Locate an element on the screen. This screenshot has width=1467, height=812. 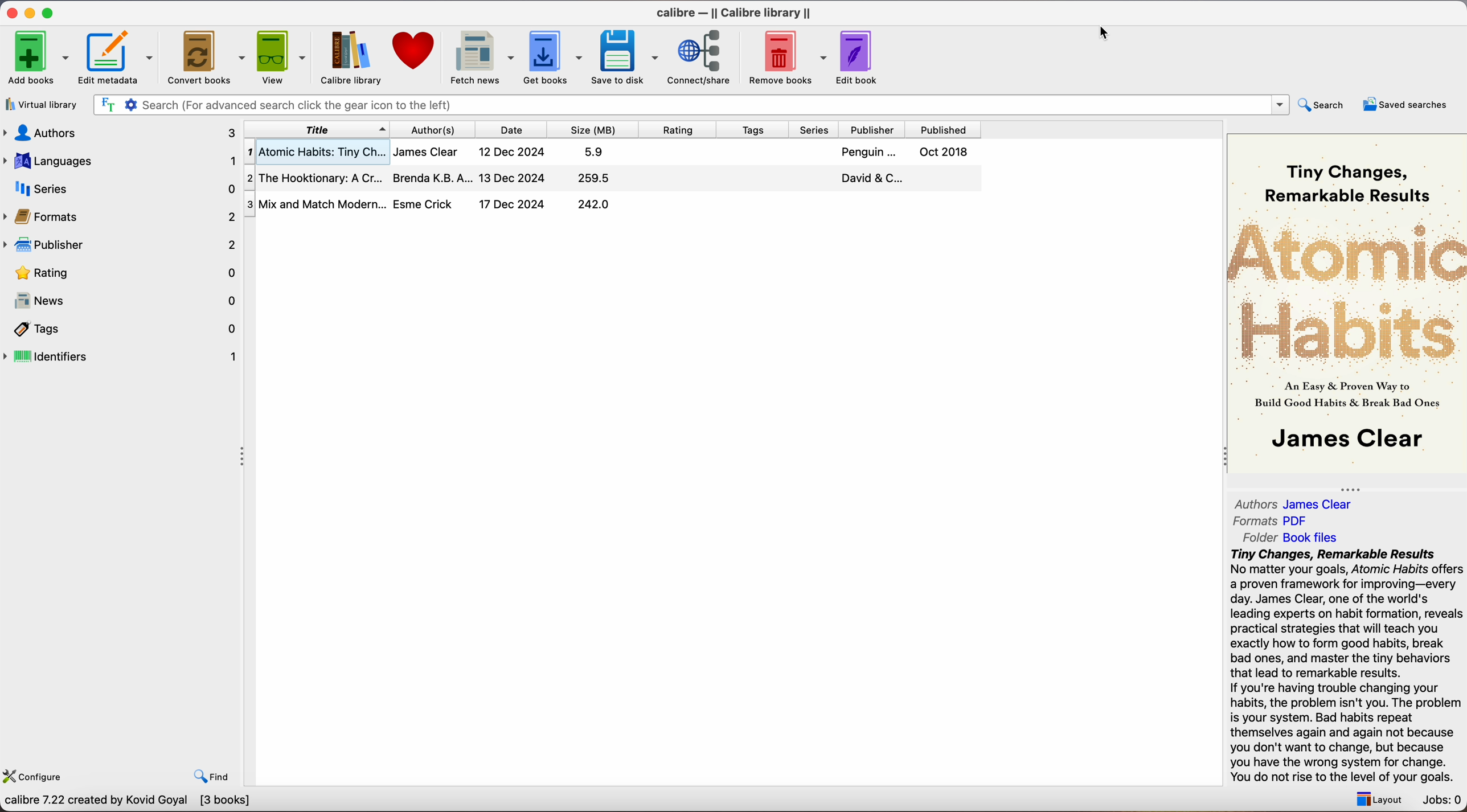
Atomic Habits: Tiny Ch... is located at coordinates (613, 151).